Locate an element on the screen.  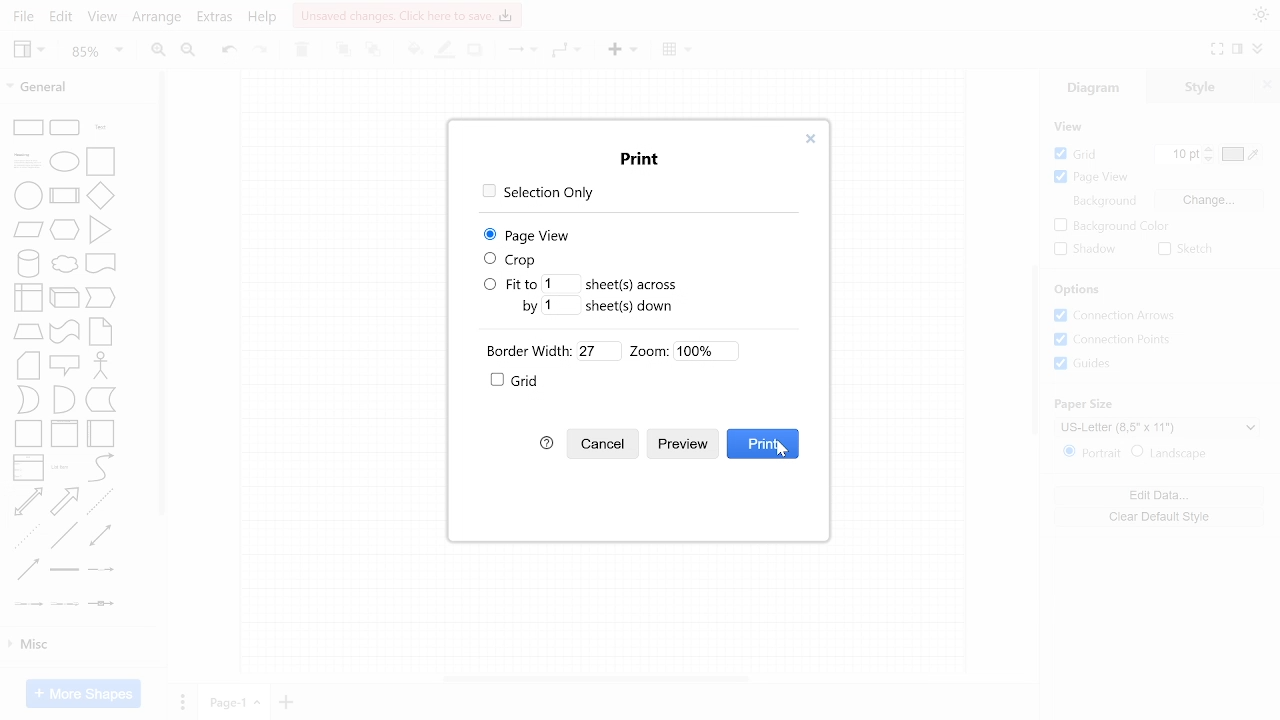
Internal storage is located at coordinates (28, 298).